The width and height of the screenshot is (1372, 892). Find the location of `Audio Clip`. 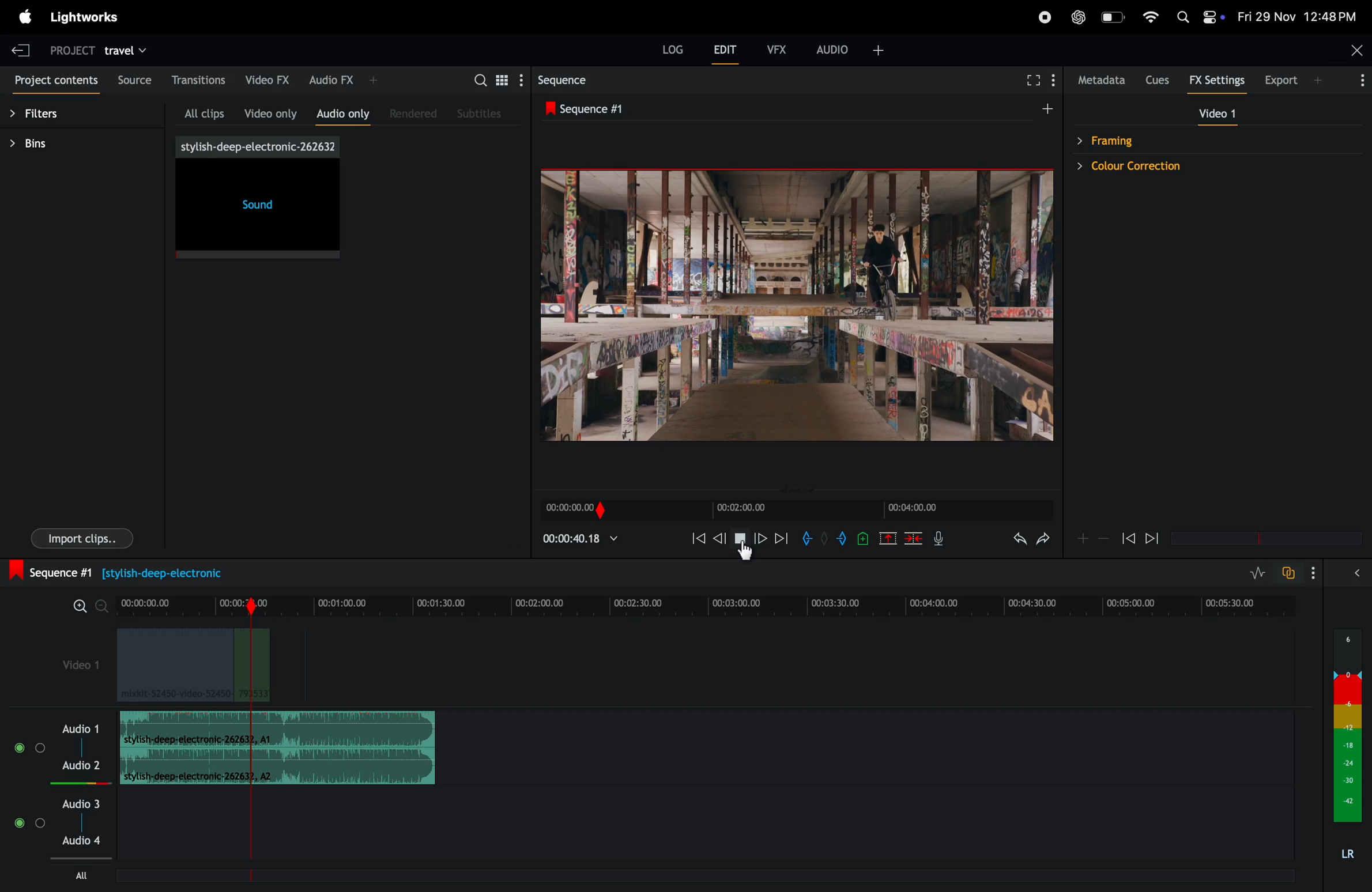

Audio Clip is located at coordinates (279, 768).